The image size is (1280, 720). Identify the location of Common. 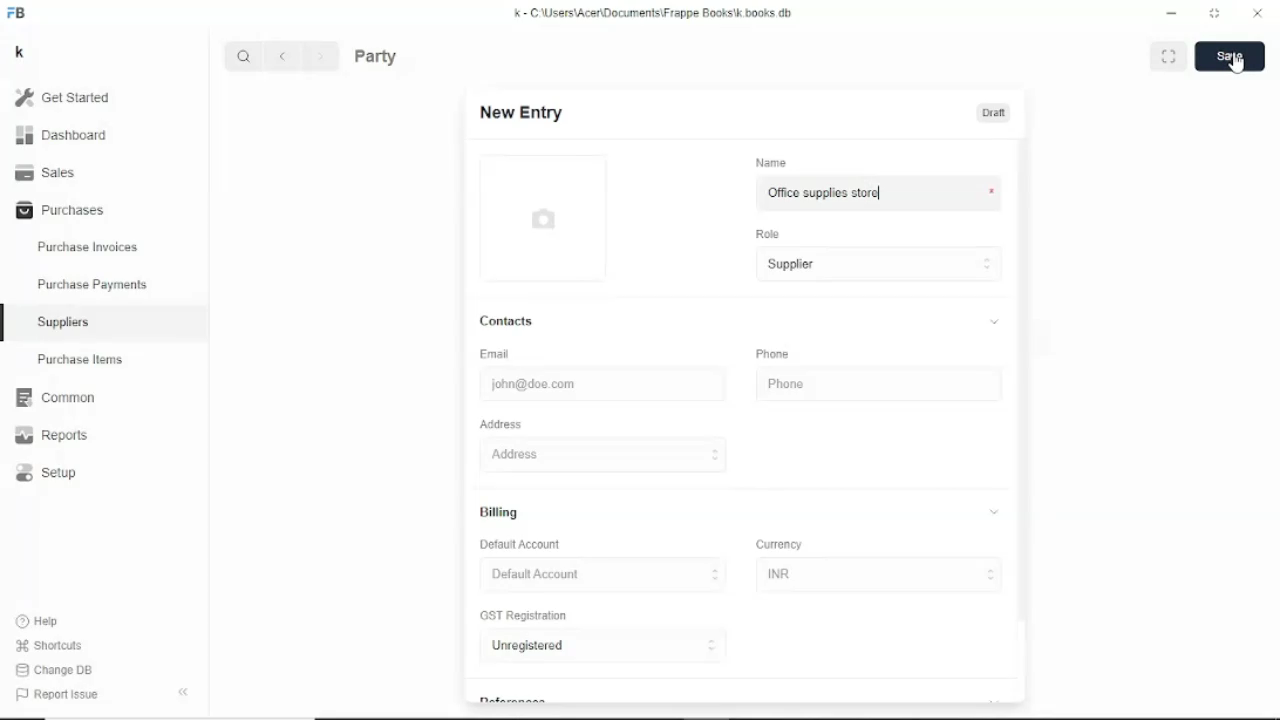
(55, 398).